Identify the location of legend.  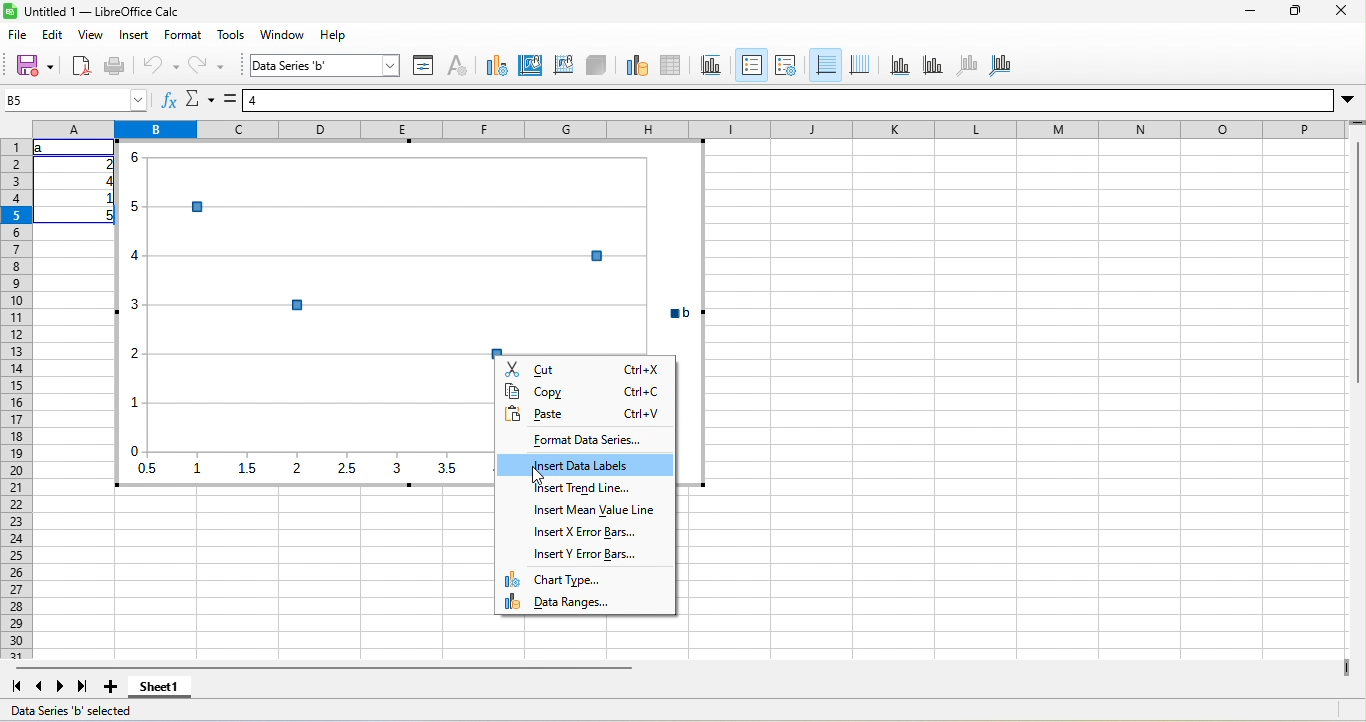
(786, 67).